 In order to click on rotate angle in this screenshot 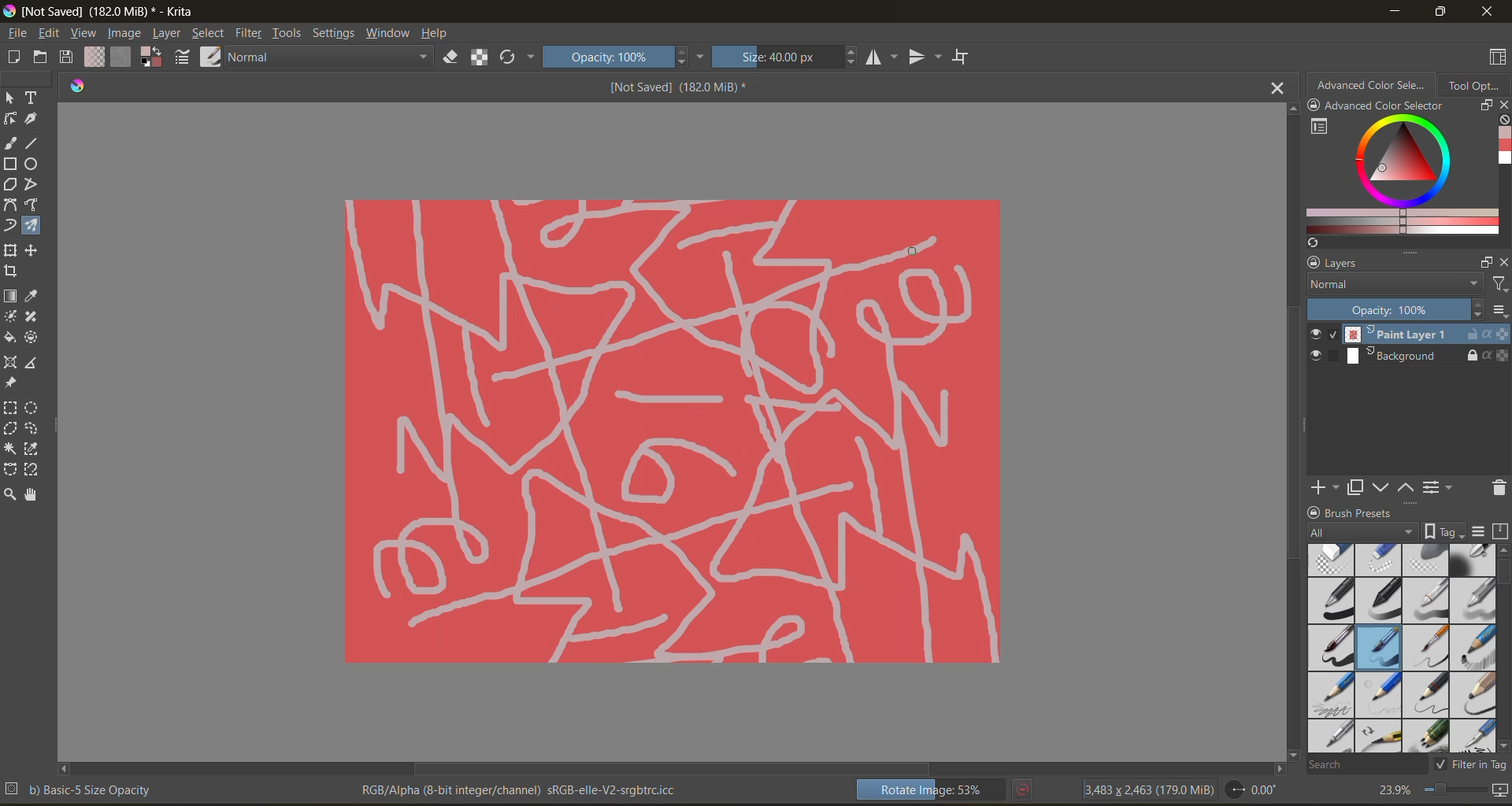, I will do `click(1257, 788)`.